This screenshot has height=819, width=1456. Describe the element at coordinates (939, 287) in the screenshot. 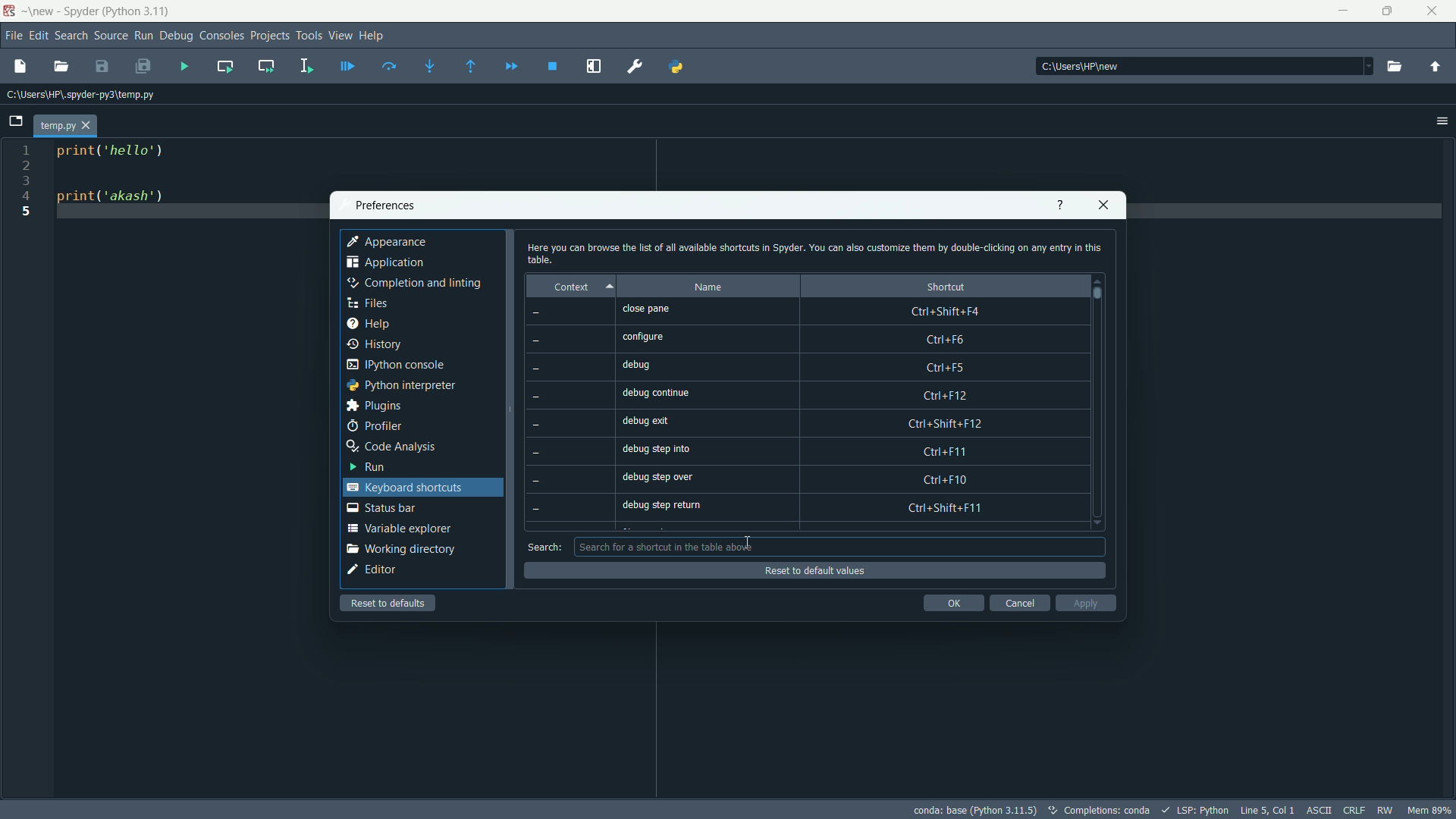

I see `shortcut` at that location.